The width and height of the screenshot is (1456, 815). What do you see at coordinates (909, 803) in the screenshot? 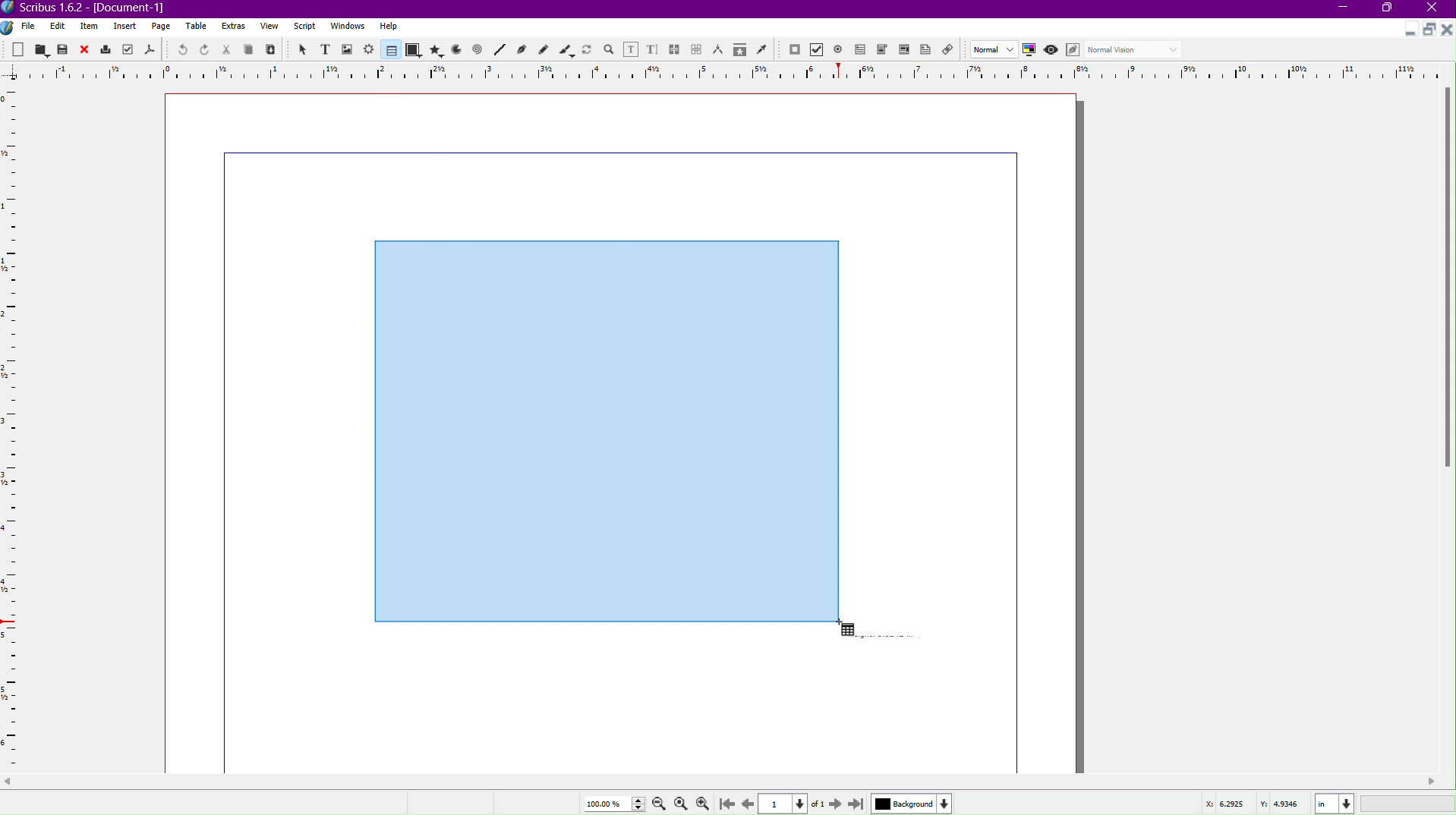
I see `Background Color` at bounding box center [909, 803].